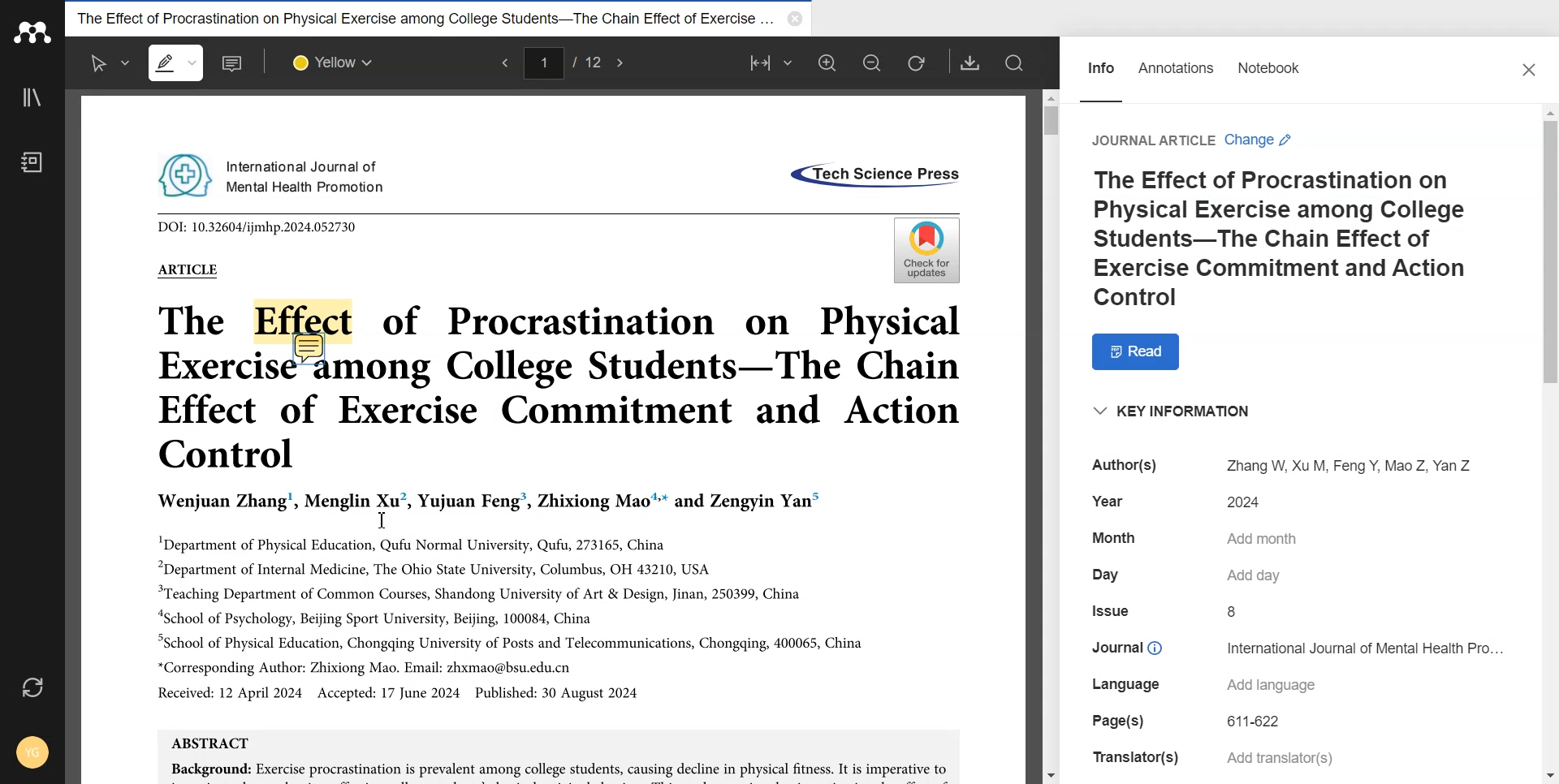  What do you see at coordinates (1101, 72) in the screenshot?
I see `Info` at bounding box center [1101, 72].